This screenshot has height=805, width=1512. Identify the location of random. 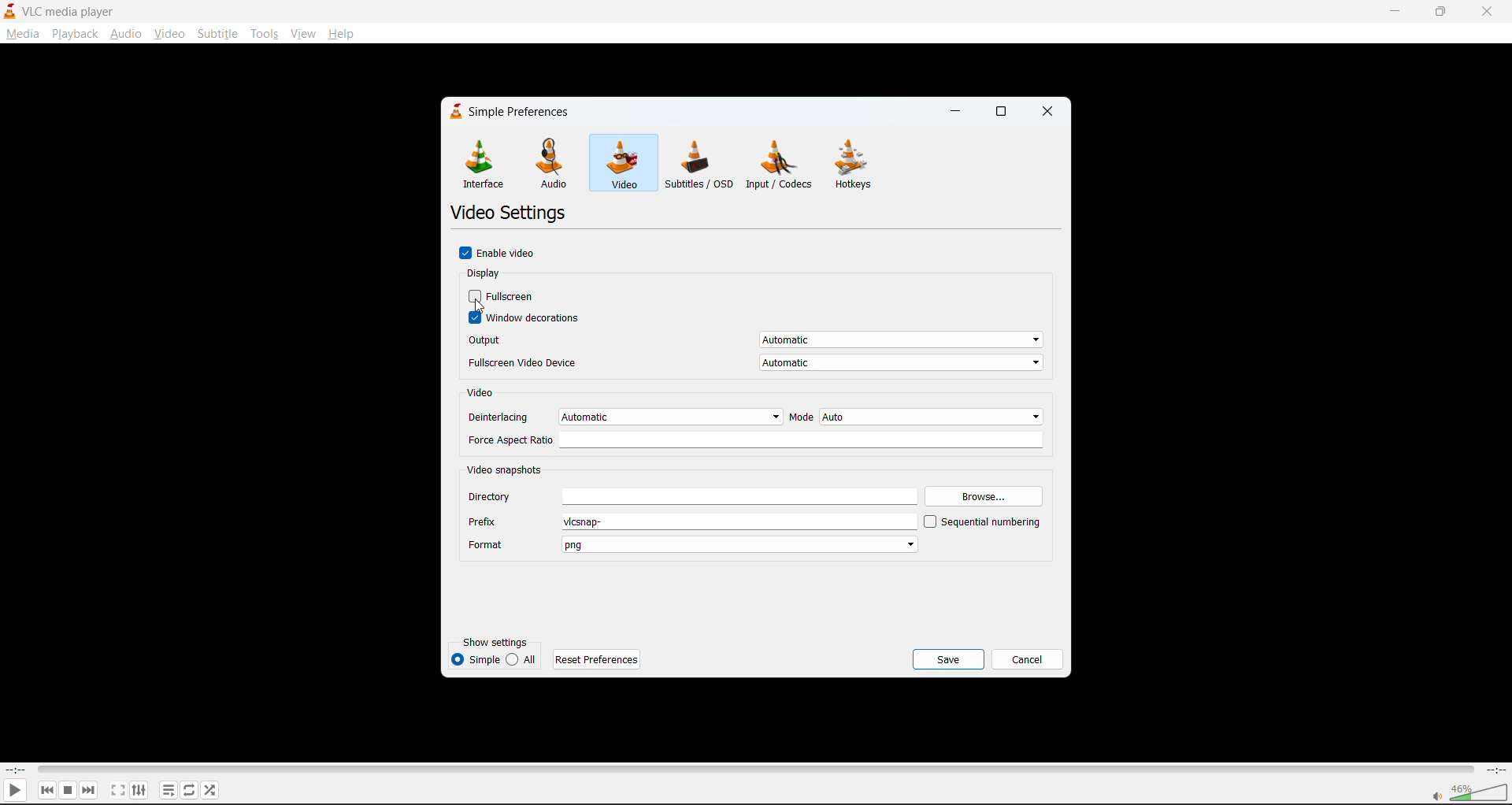
(212, 792).